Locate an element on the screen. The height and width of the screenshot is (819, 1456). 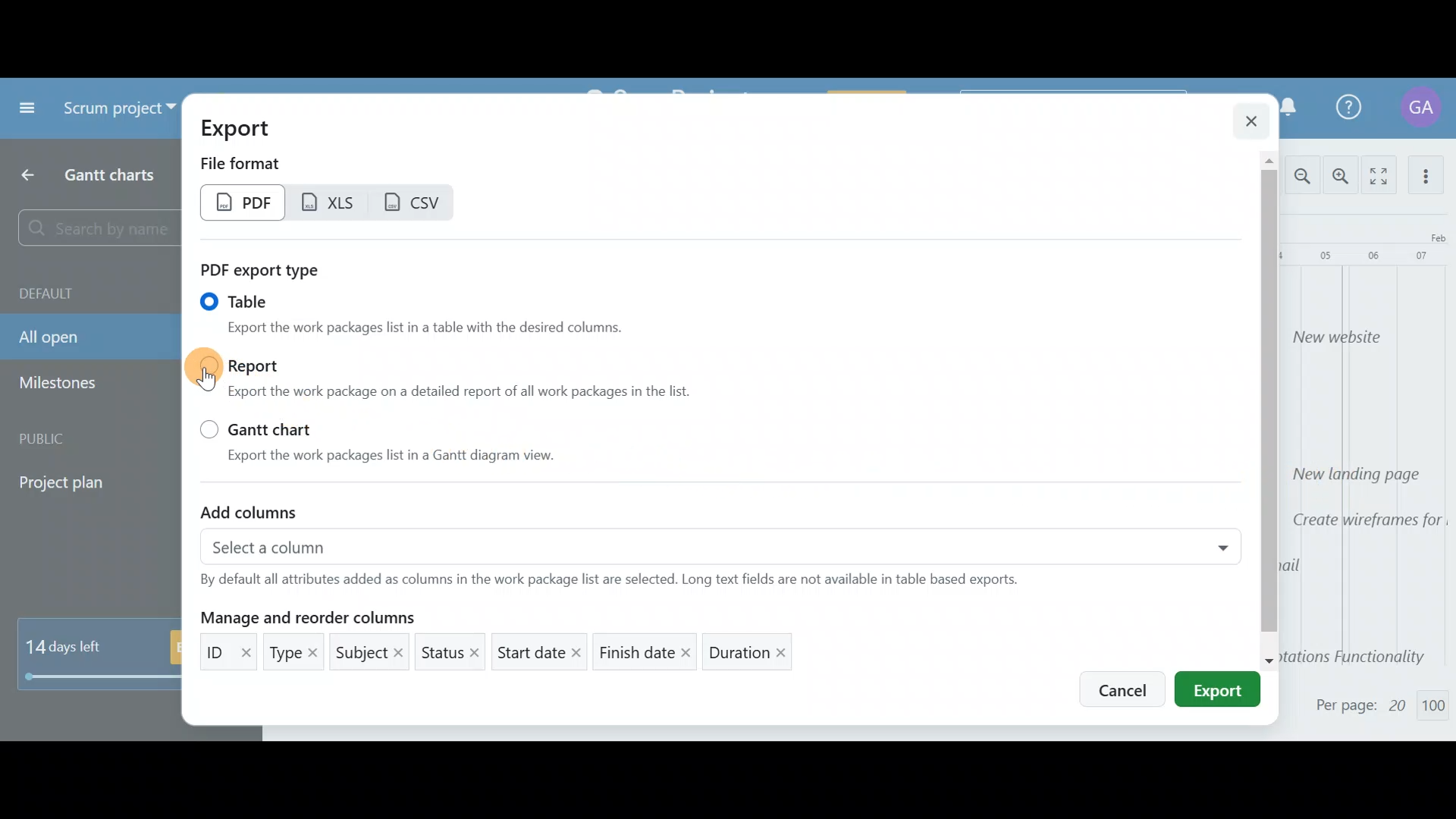
Gantt chart is located at coordinates (247, 431).